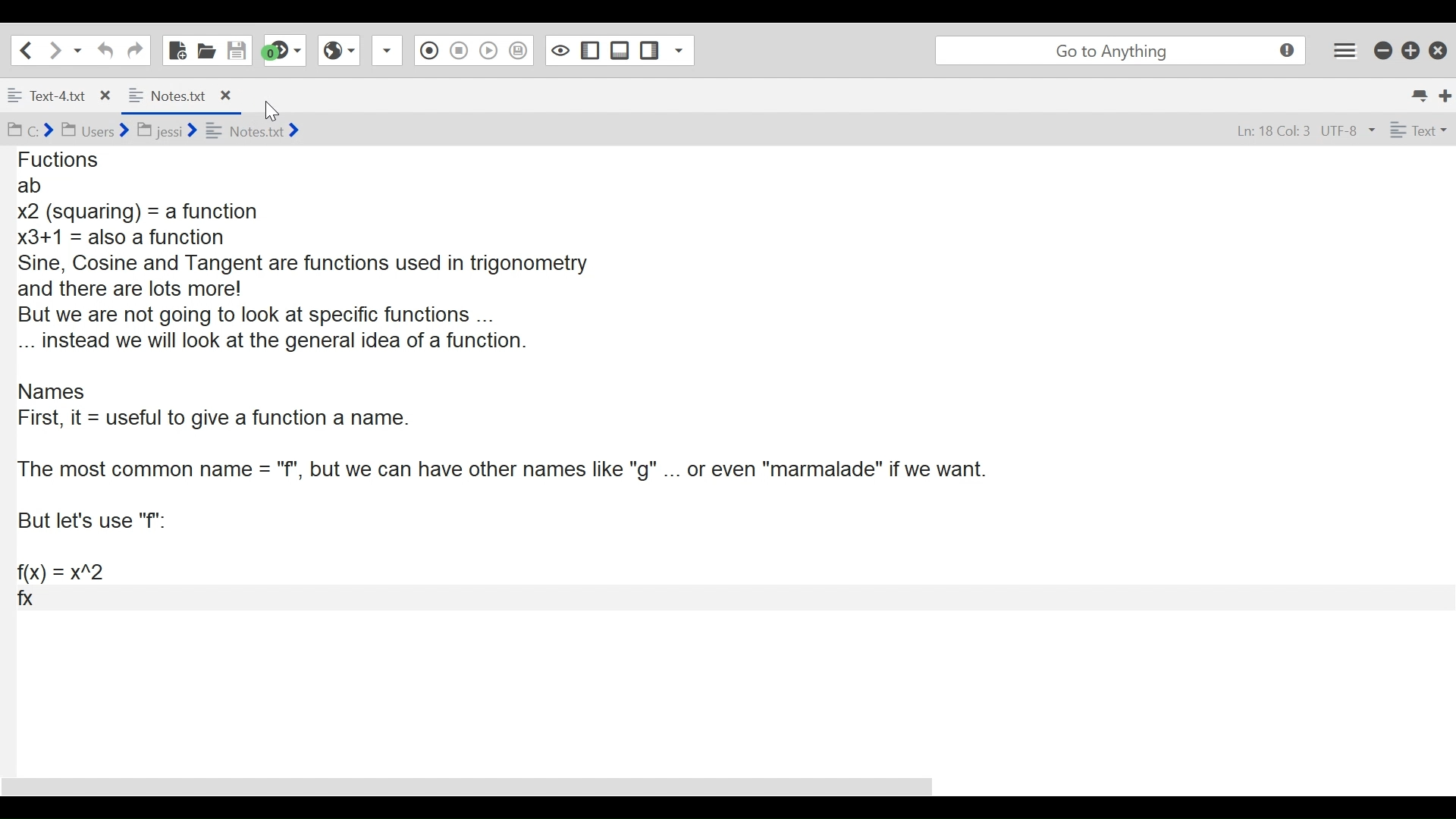 The height and width of the screenshot is (819, 1456). I want to click on share current file, so click(390, 52).